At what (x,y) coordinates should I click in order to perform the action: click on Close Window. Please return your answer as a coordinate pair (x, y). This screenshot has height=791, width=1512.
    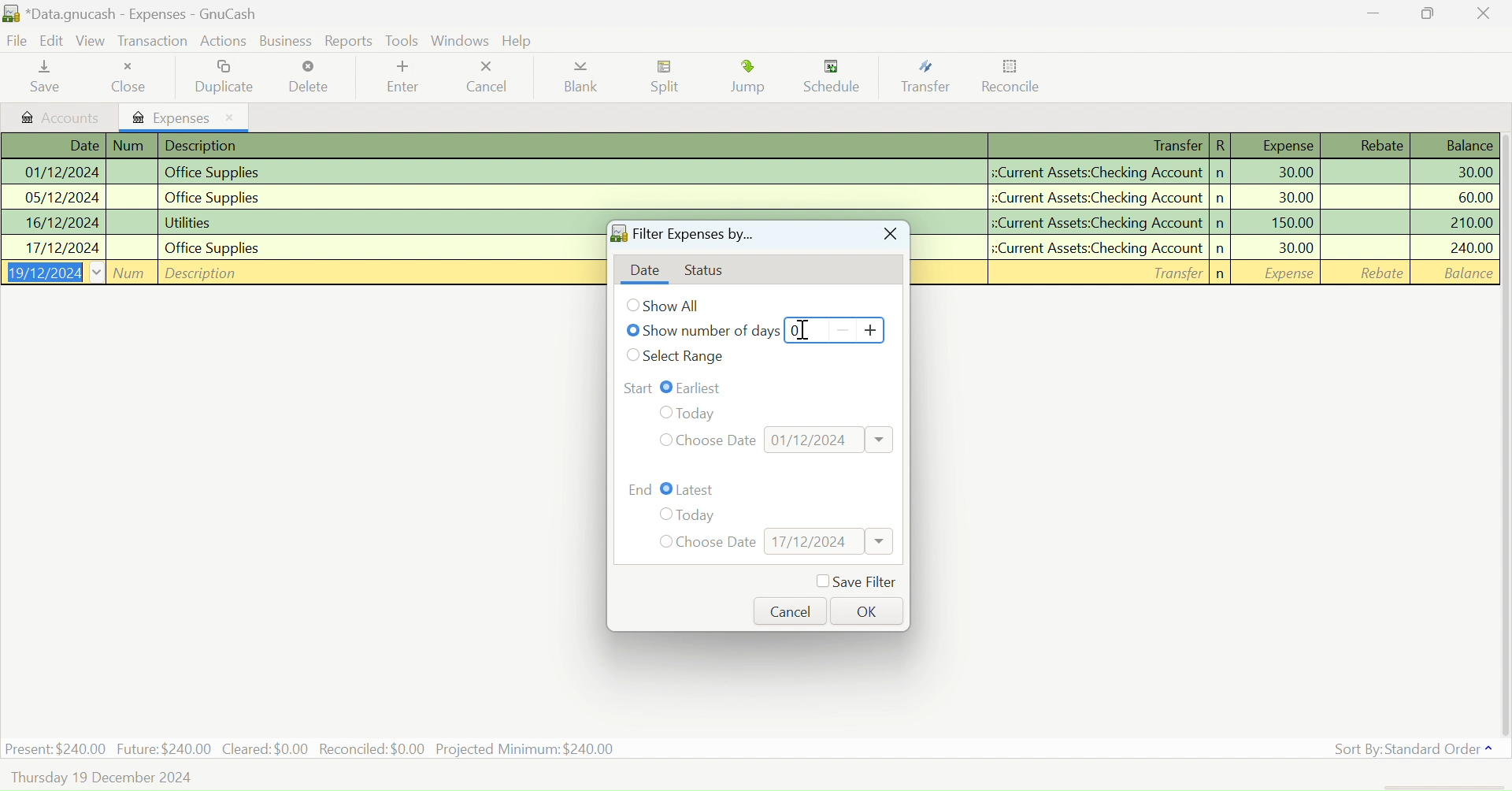
    Looking at the image, I should click on (1484, 13).